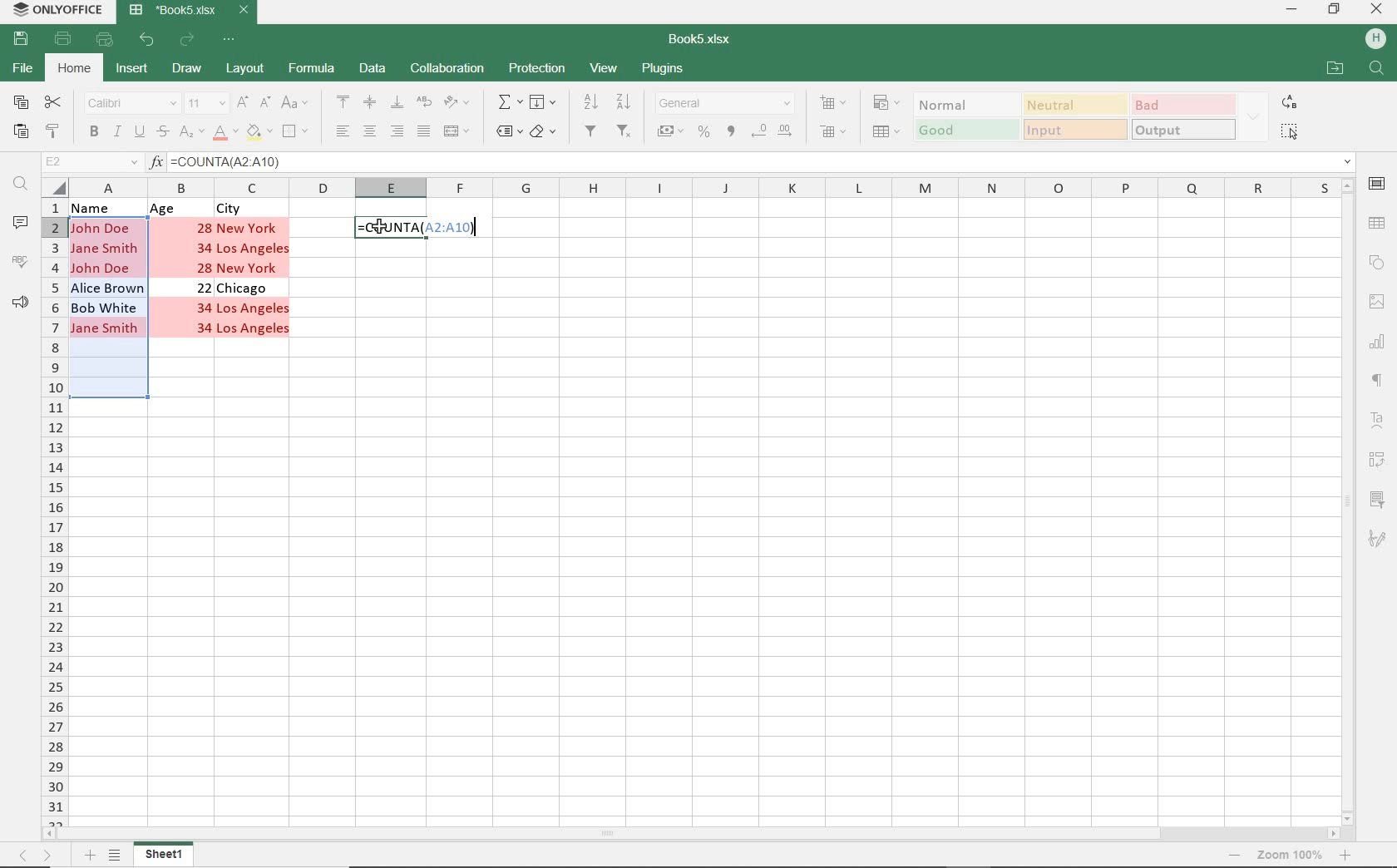  What do you see at coordinates (1346, 503) in the screenshot?
I see `SCROLLBAR` at bounding box center [1346, 503].